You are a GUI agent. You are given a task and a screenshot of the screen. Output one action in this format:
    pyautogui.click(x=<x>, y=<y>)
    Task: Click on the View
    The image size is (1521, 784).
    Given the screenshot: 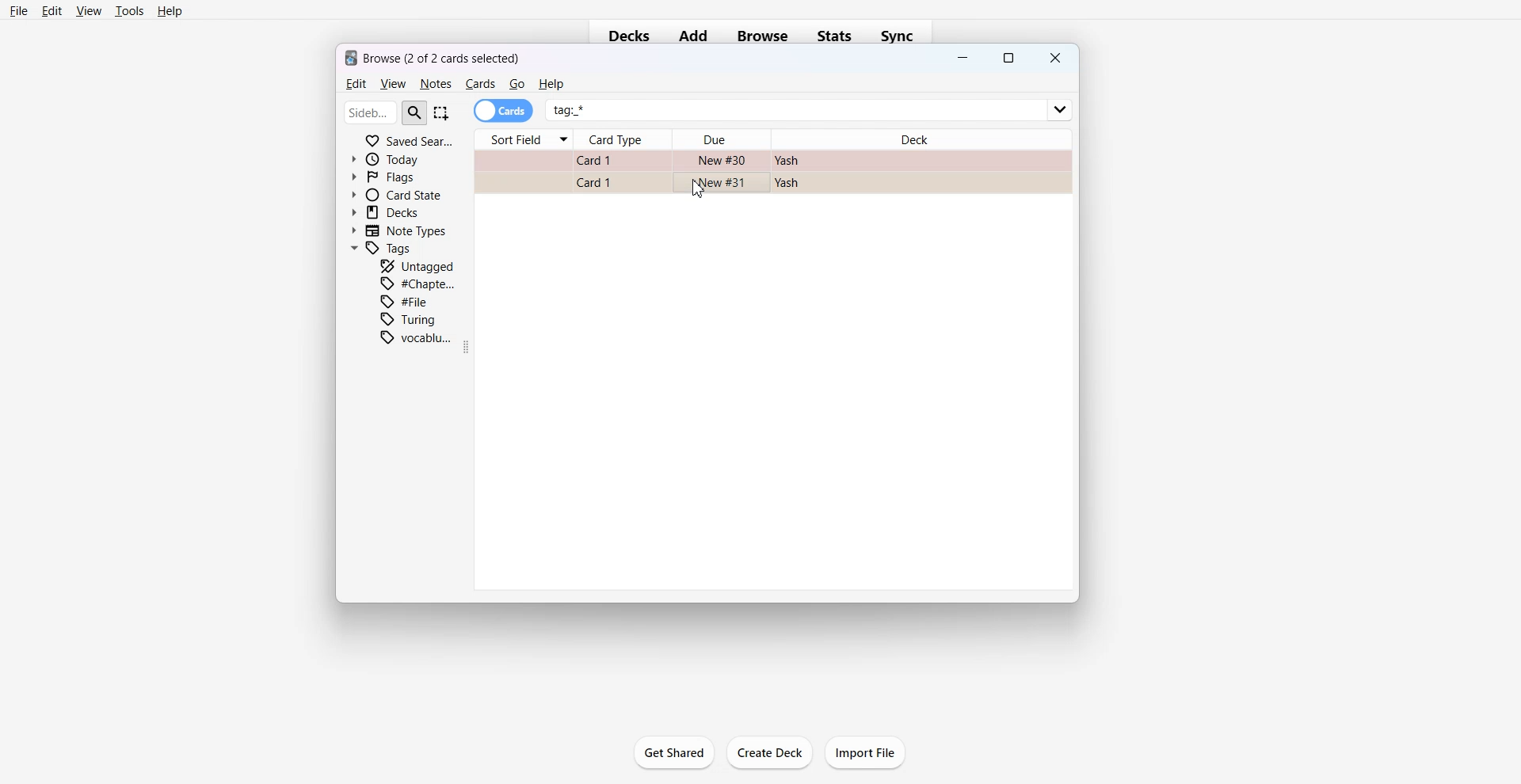 What is the action you would take?
    pyautogui.click(x=88, y=10)
    